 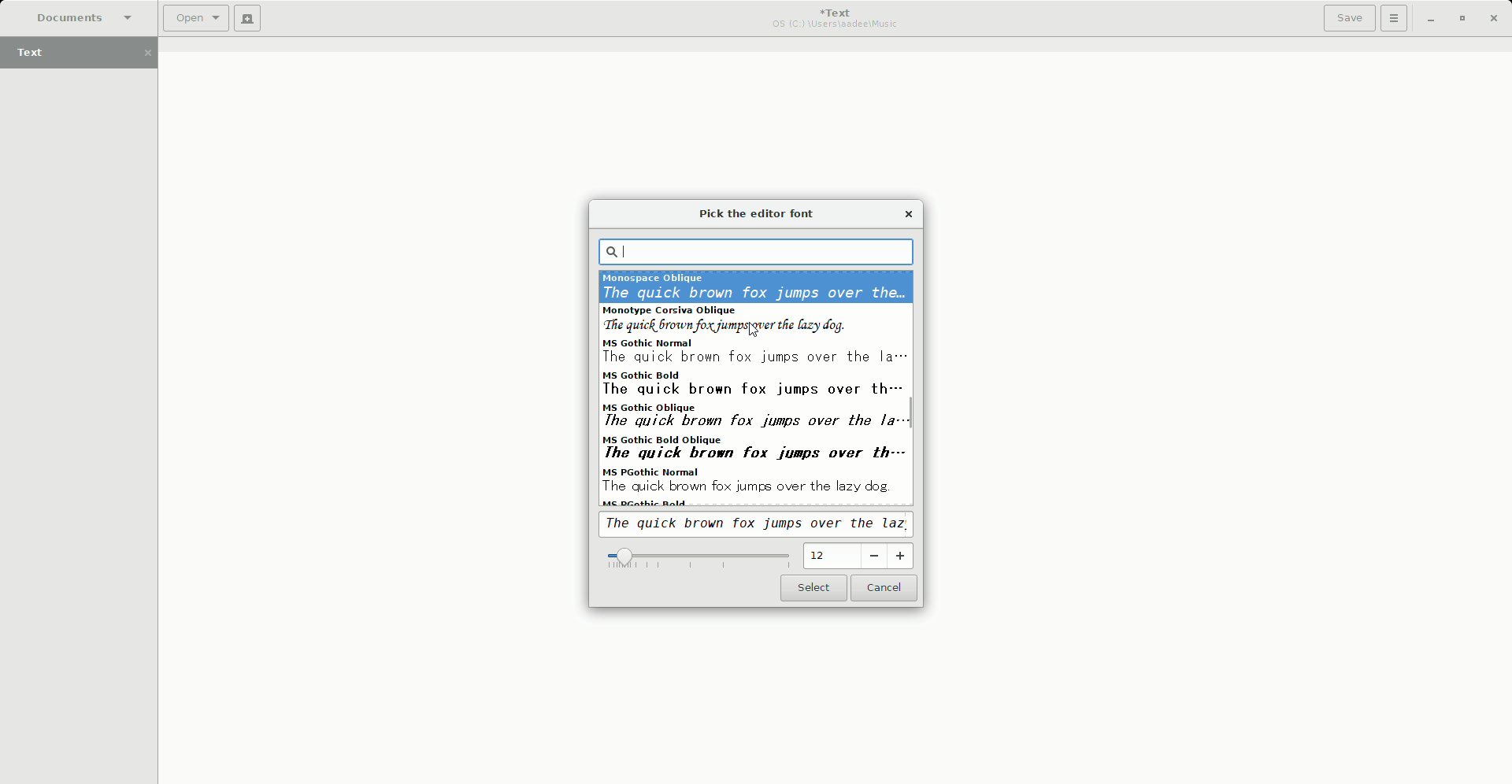 I want to click on Options, so click(x=1395, y=18).